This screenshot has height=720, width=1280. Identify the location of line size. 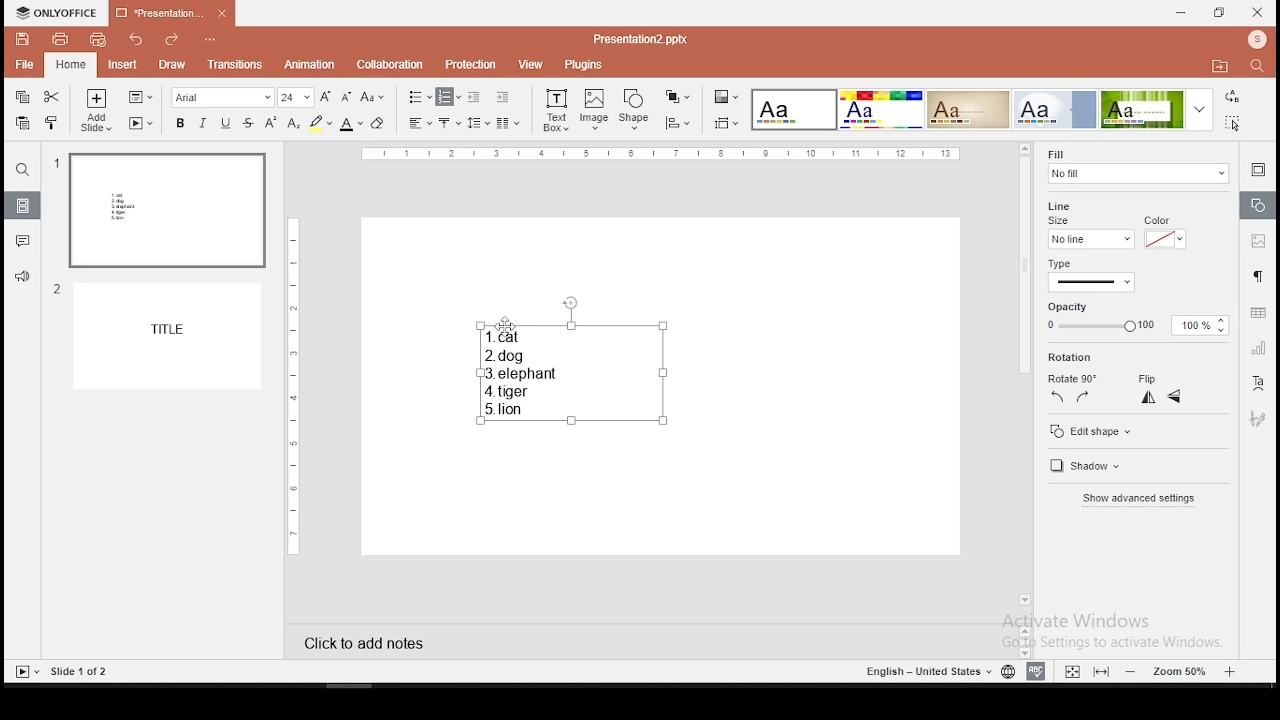
(1089, 239).